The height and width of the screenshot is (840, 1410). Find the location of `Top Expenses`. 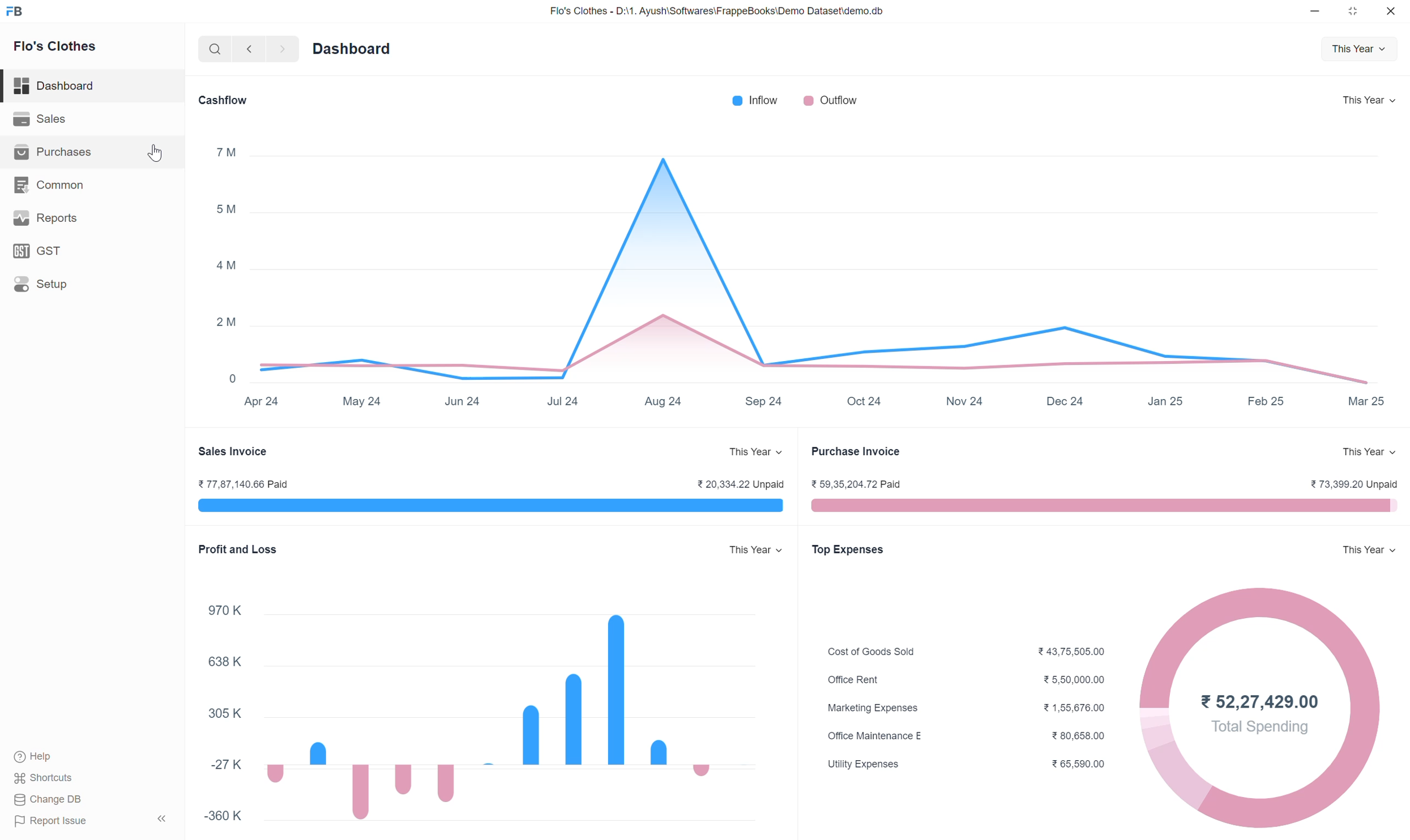

Top Expenses is located at coordinates (847, 550).